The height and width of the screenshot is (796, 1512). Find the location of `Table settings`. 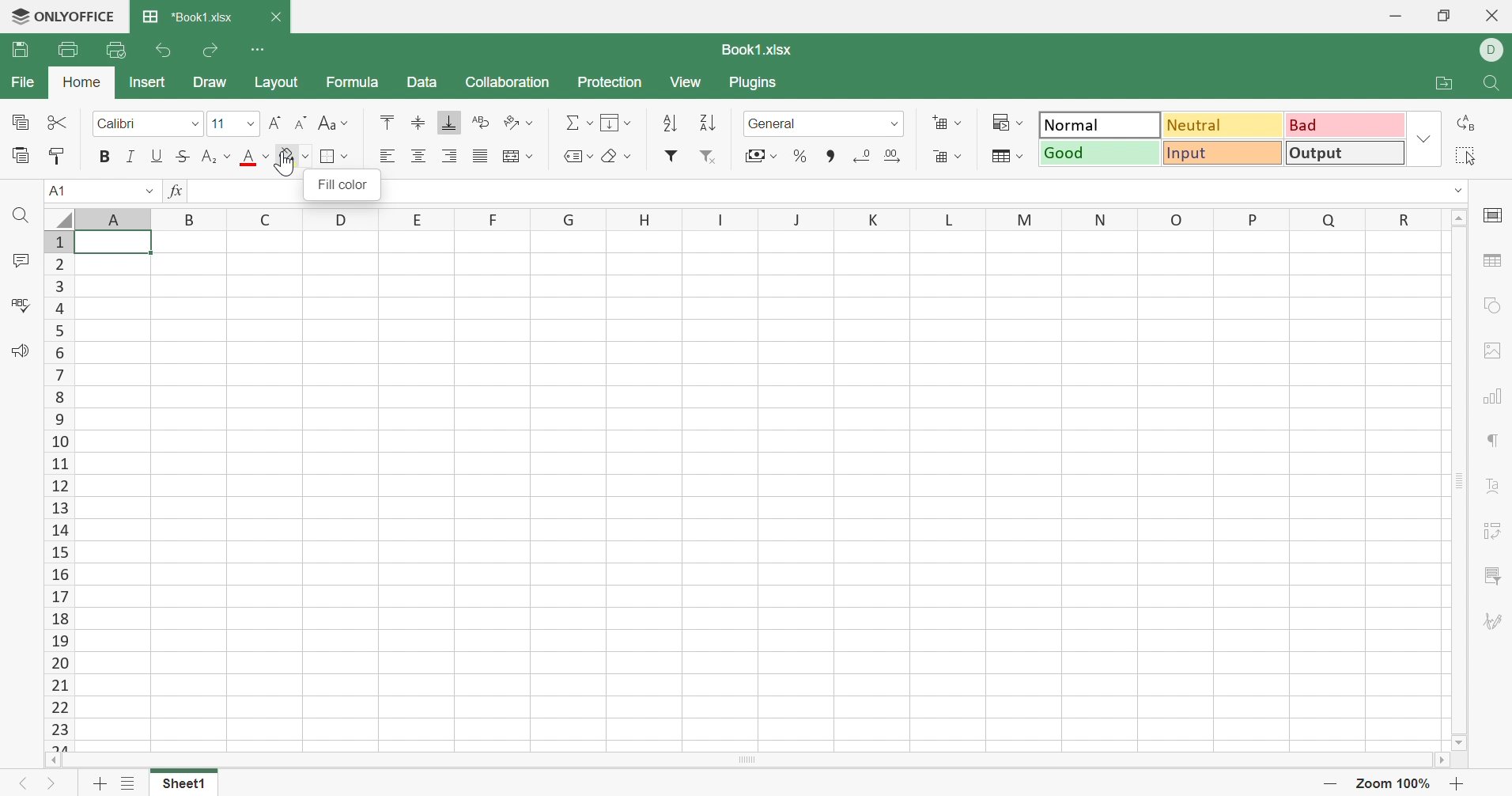

Table settings is located at coordinates (1492, 261).